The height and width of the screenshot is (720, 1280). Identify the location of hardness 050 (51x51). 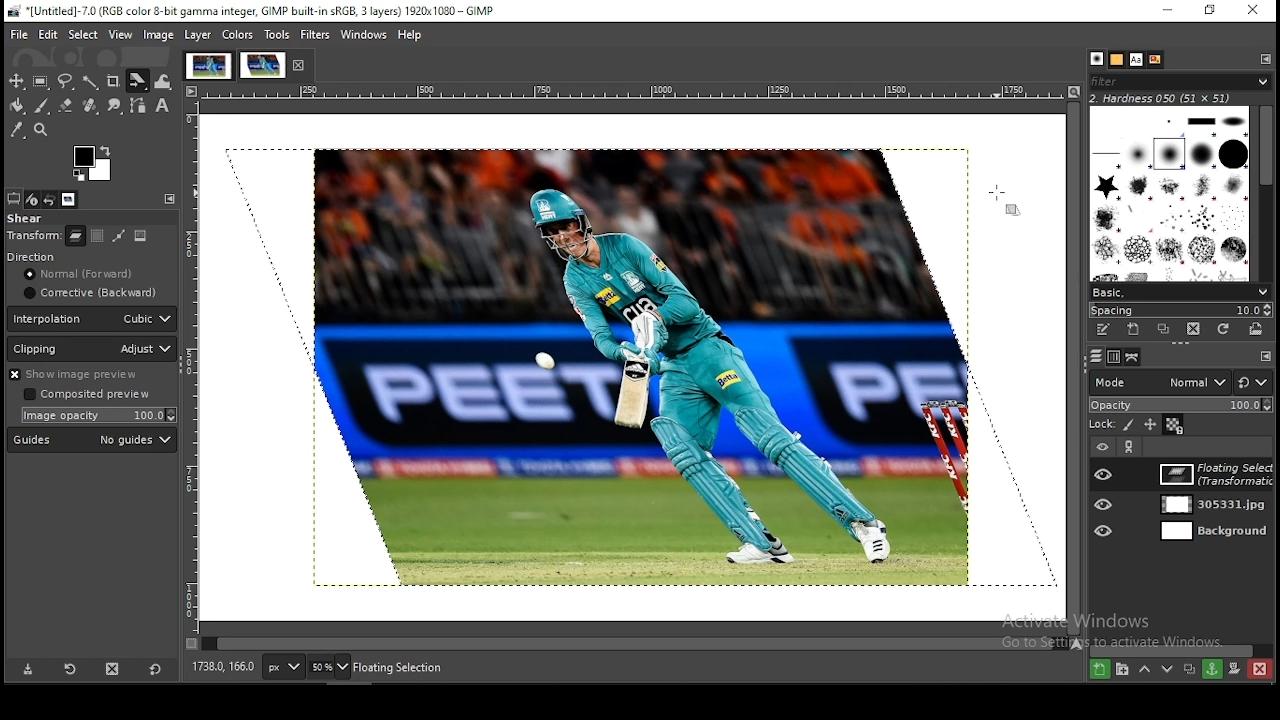
(1174, 99).